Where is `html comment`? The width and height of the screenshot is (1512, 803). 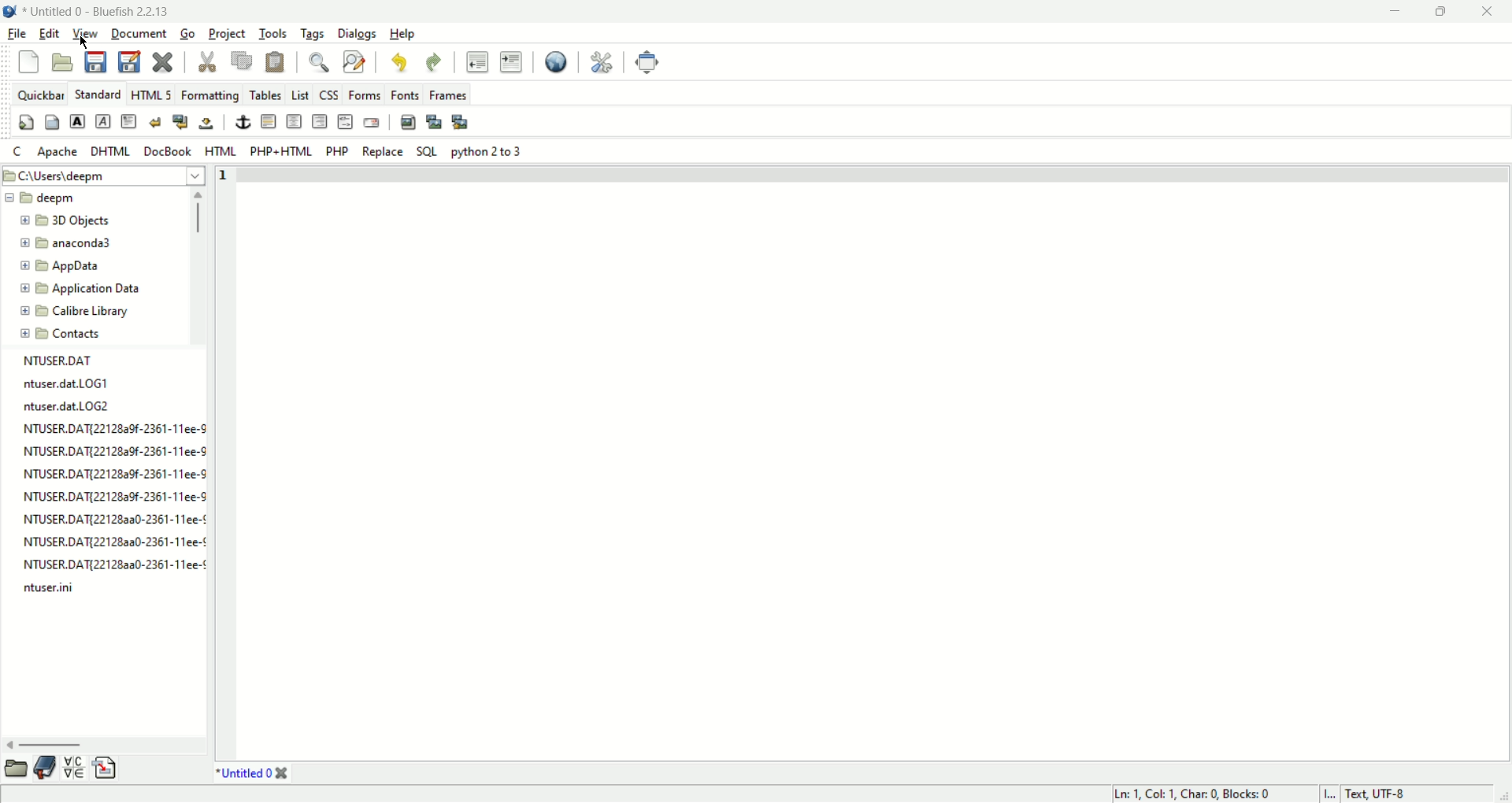 html comment is located at coordinates (344, 122).